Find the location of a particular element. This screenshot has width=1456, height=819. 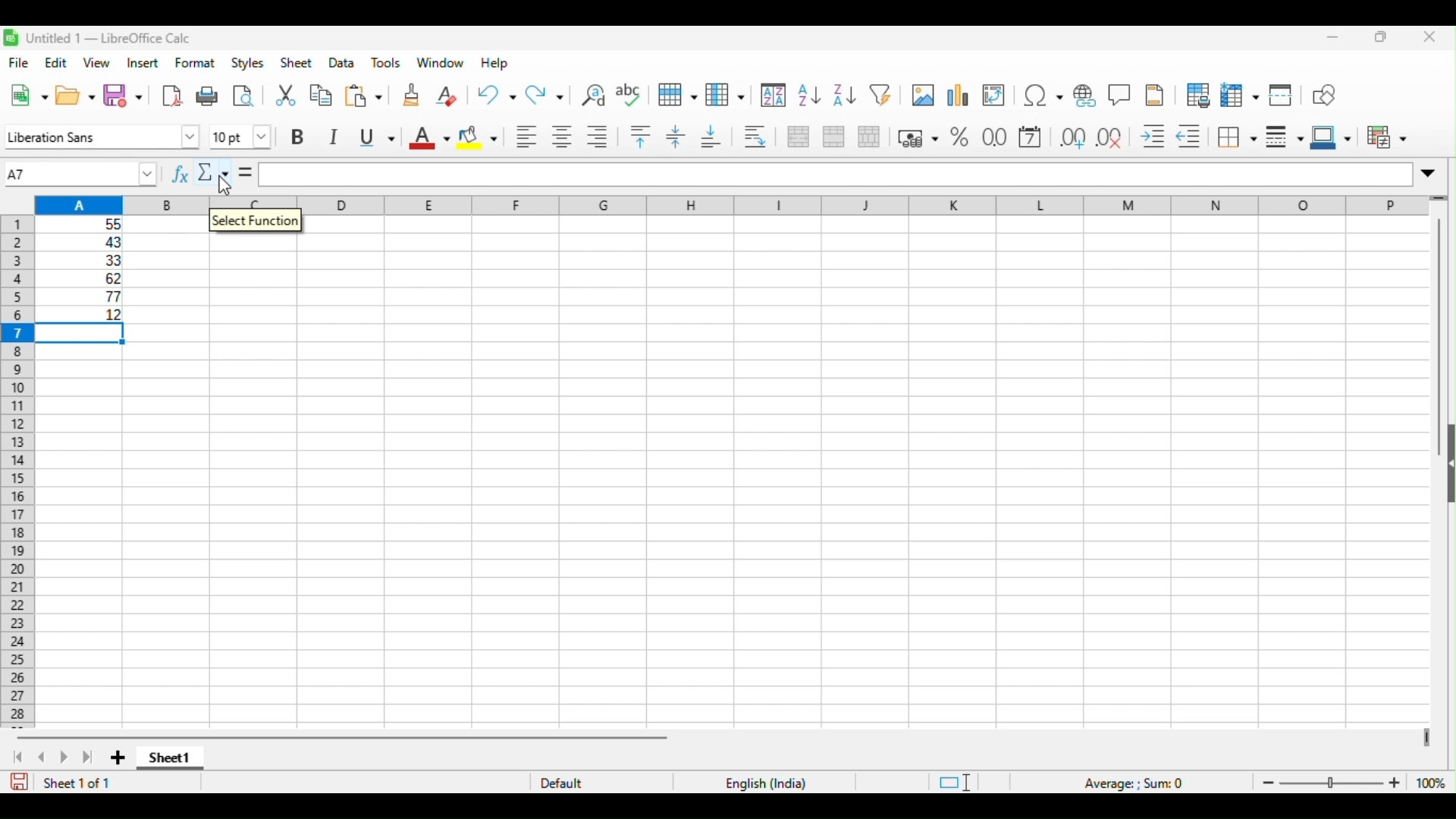

= is located at coordinates (246, 173).